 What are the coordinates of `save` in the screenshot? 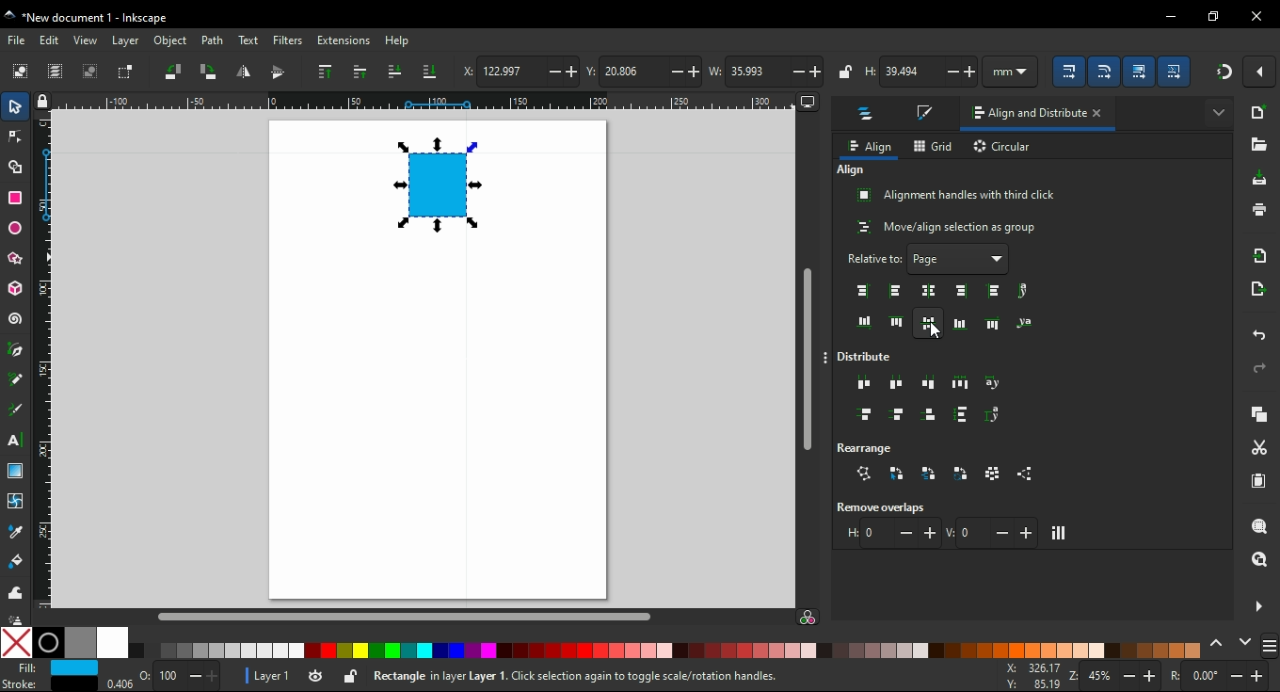 It's located at (1261, 178).